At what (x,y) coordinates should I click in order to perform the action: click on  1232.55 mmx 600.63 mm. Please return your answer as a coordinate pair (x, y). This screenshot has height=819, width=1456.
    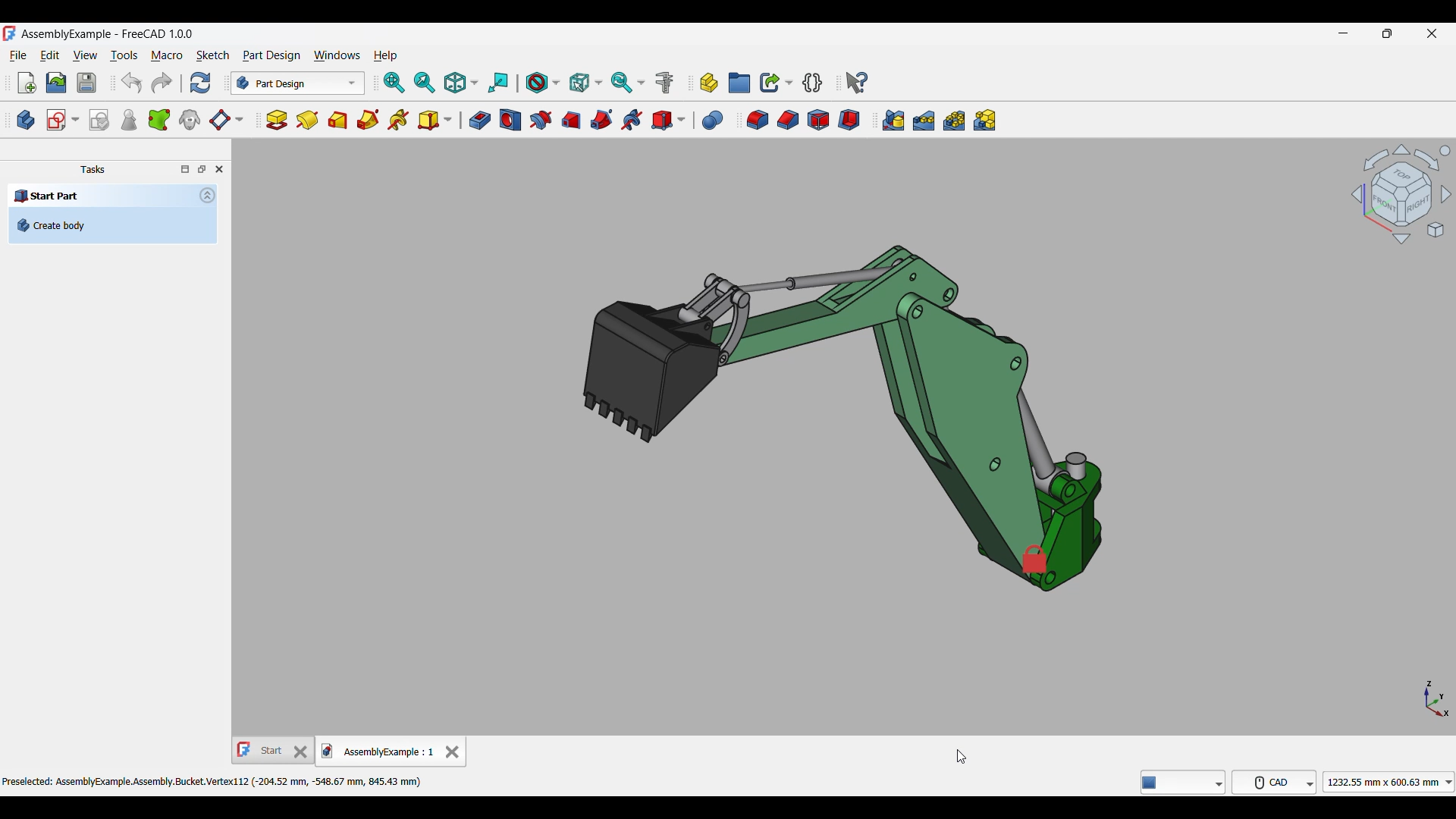
    Looking at the image, I should click on (1392, 782).